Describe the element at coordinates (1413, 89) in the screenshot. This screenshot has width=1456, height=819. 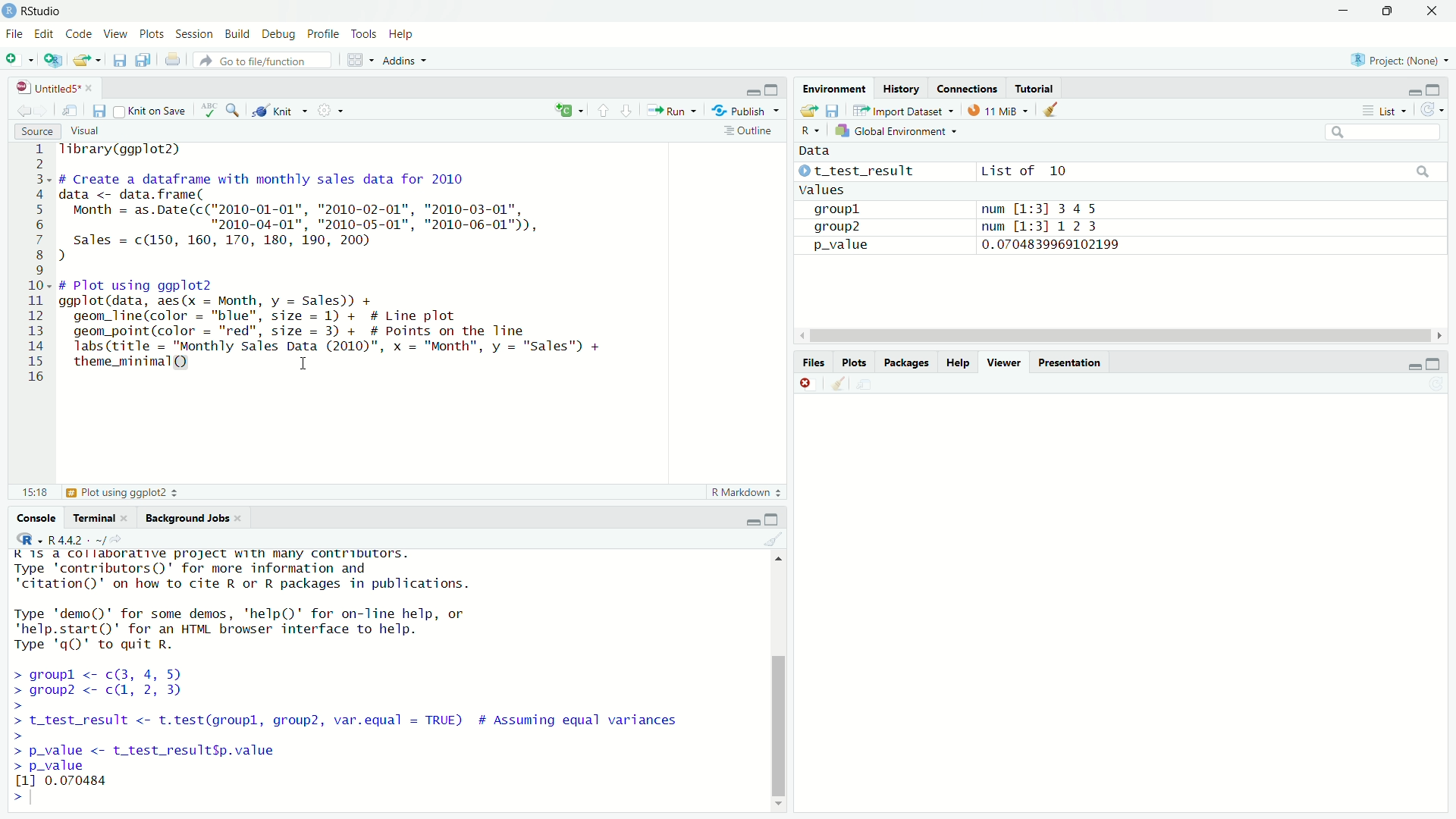
I see `minimise` at that location.